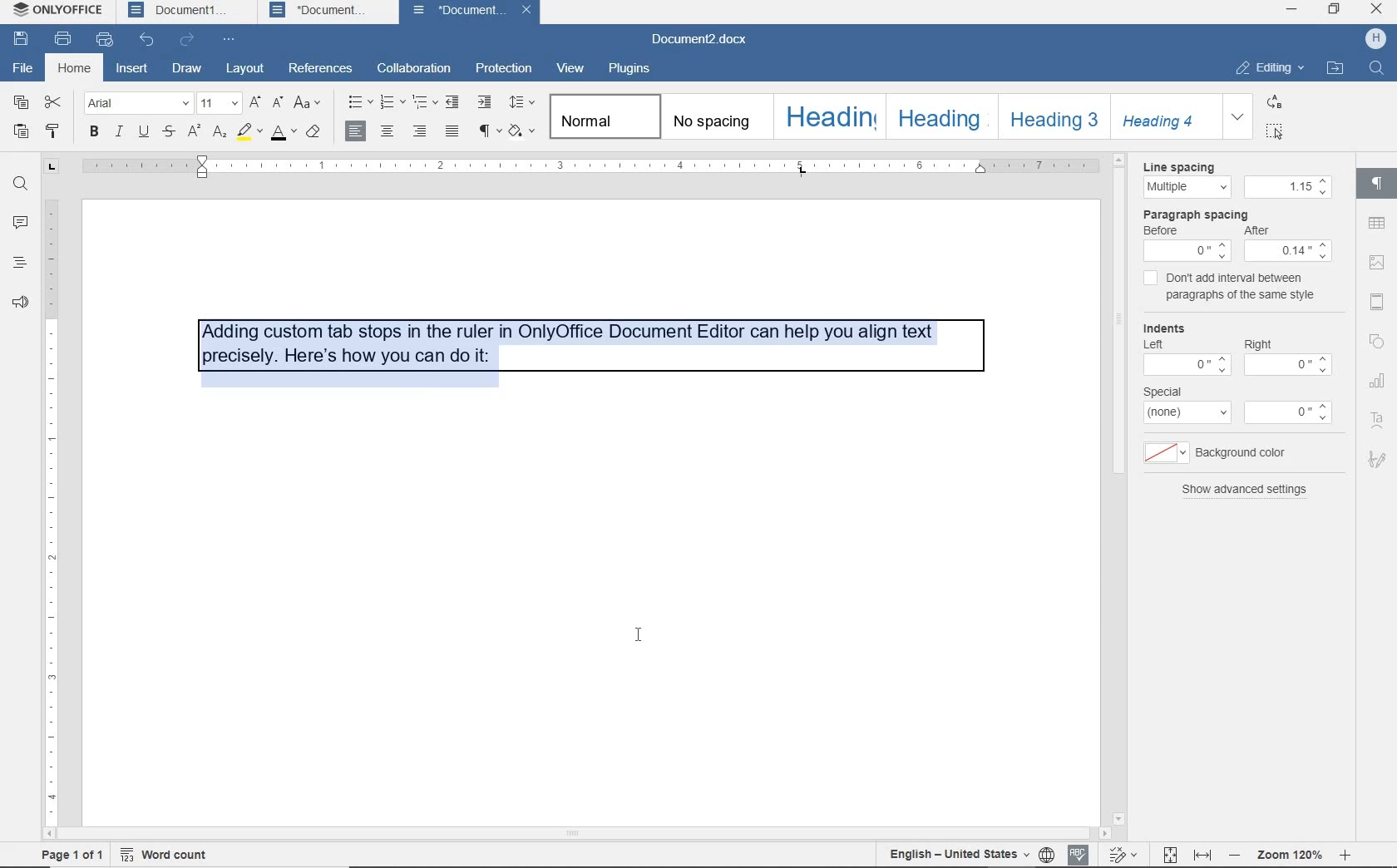 The width and height of the screenshot is (1397, 868). What do you see at coordinates (1244, 451) in the screenshot?
I see `background color` at bounding box center [1244, 451].